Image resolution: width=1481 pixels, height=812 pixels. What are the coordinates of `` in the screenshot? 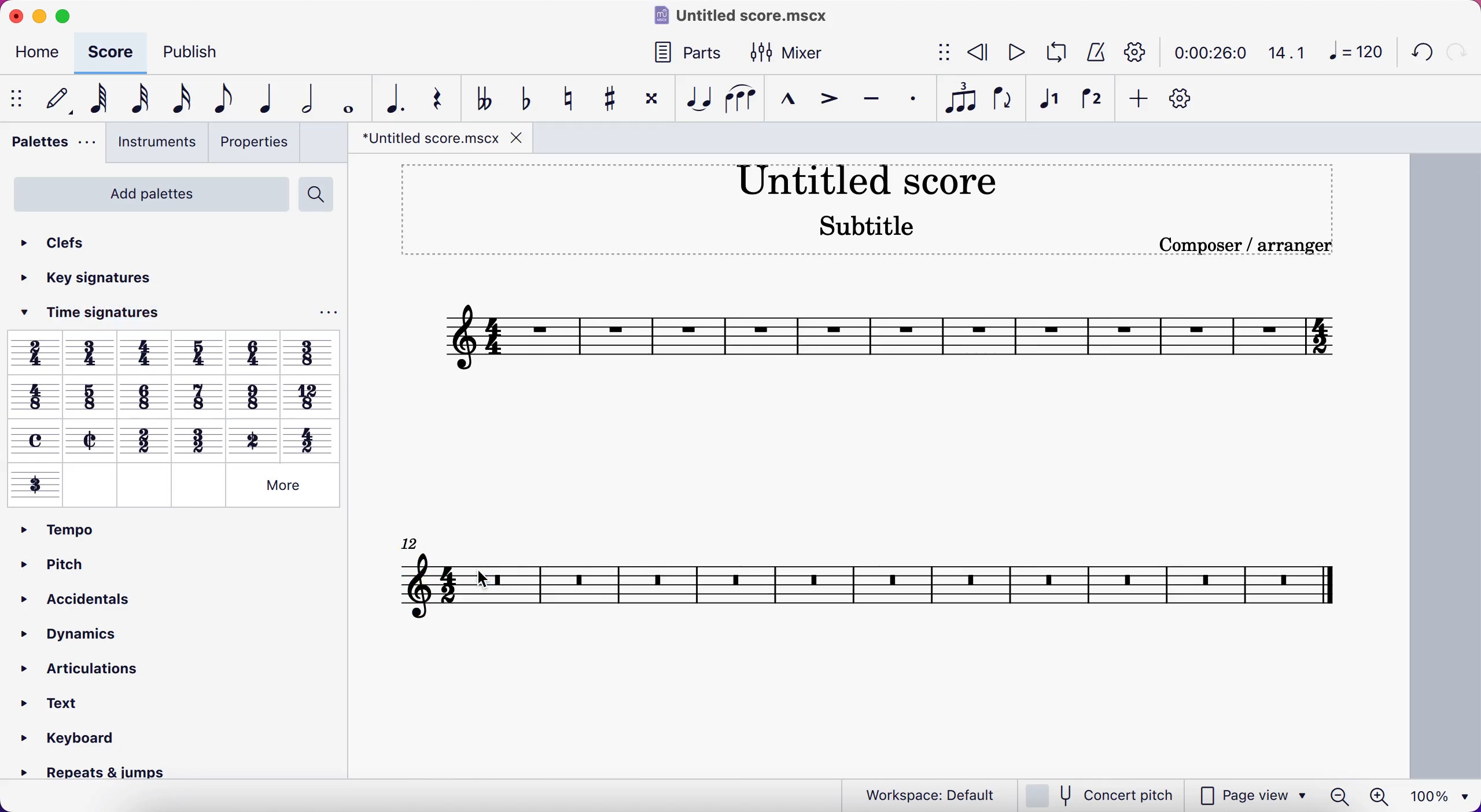 It's located at (283, 485).